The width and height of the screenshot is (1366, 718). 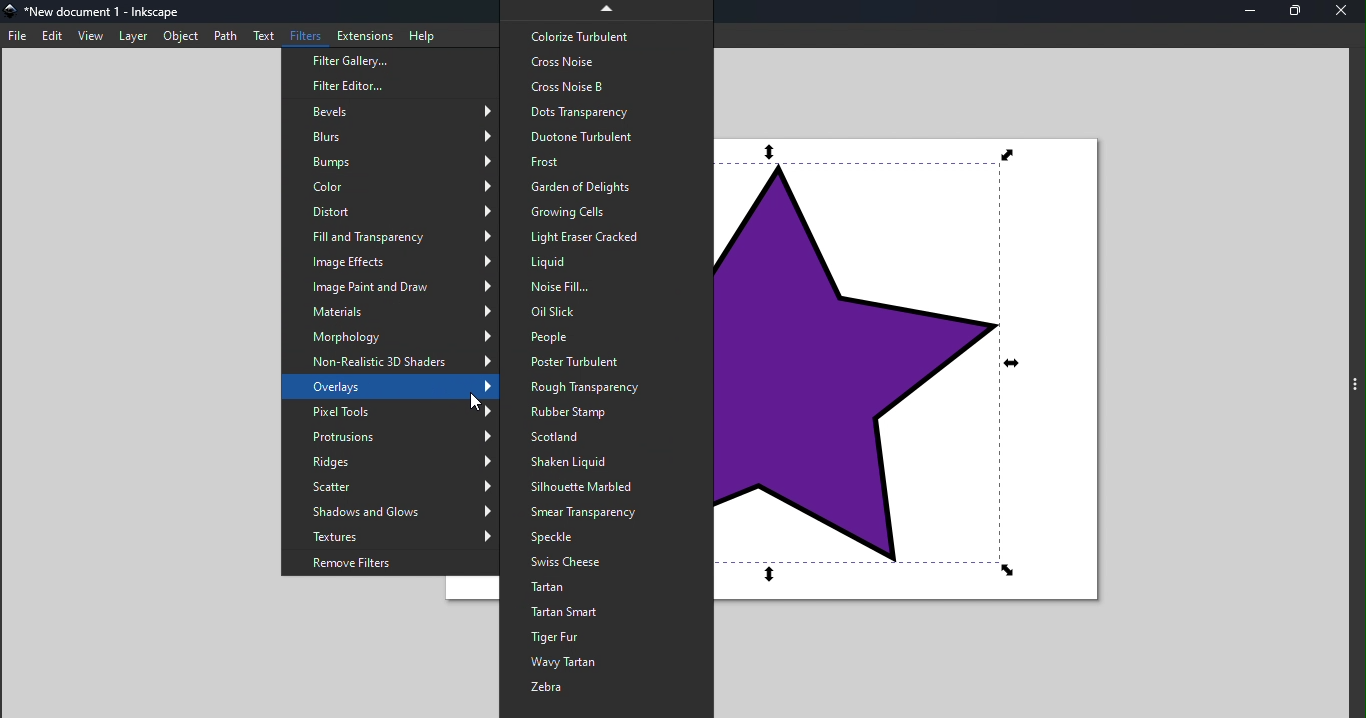 What do you see at coordinates (607, 637) in the screenshot?
I see `Tiger fur` at bounding box center [607, 637].